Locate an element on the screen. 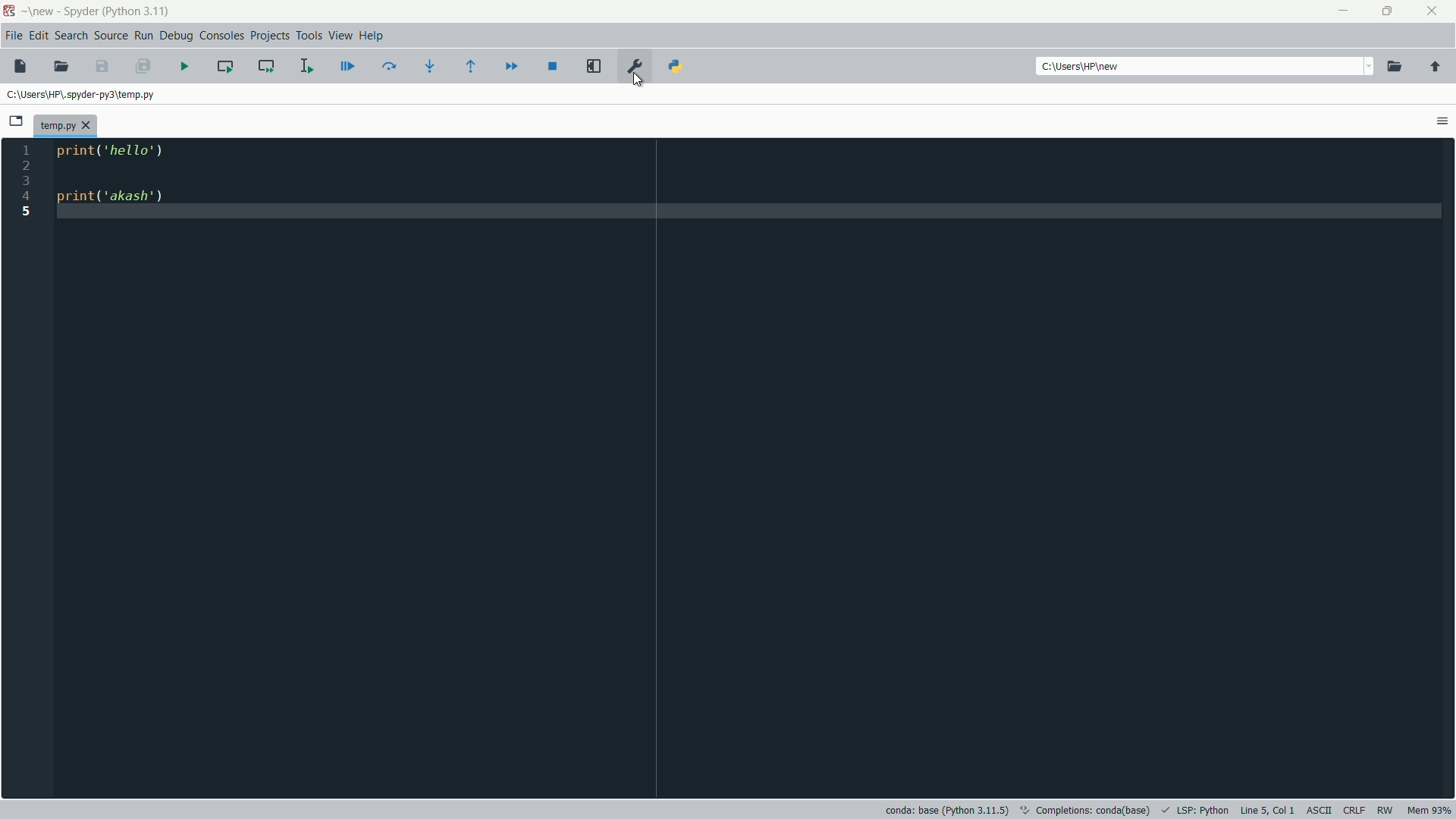  preferences is located at coordinates (635, 67).